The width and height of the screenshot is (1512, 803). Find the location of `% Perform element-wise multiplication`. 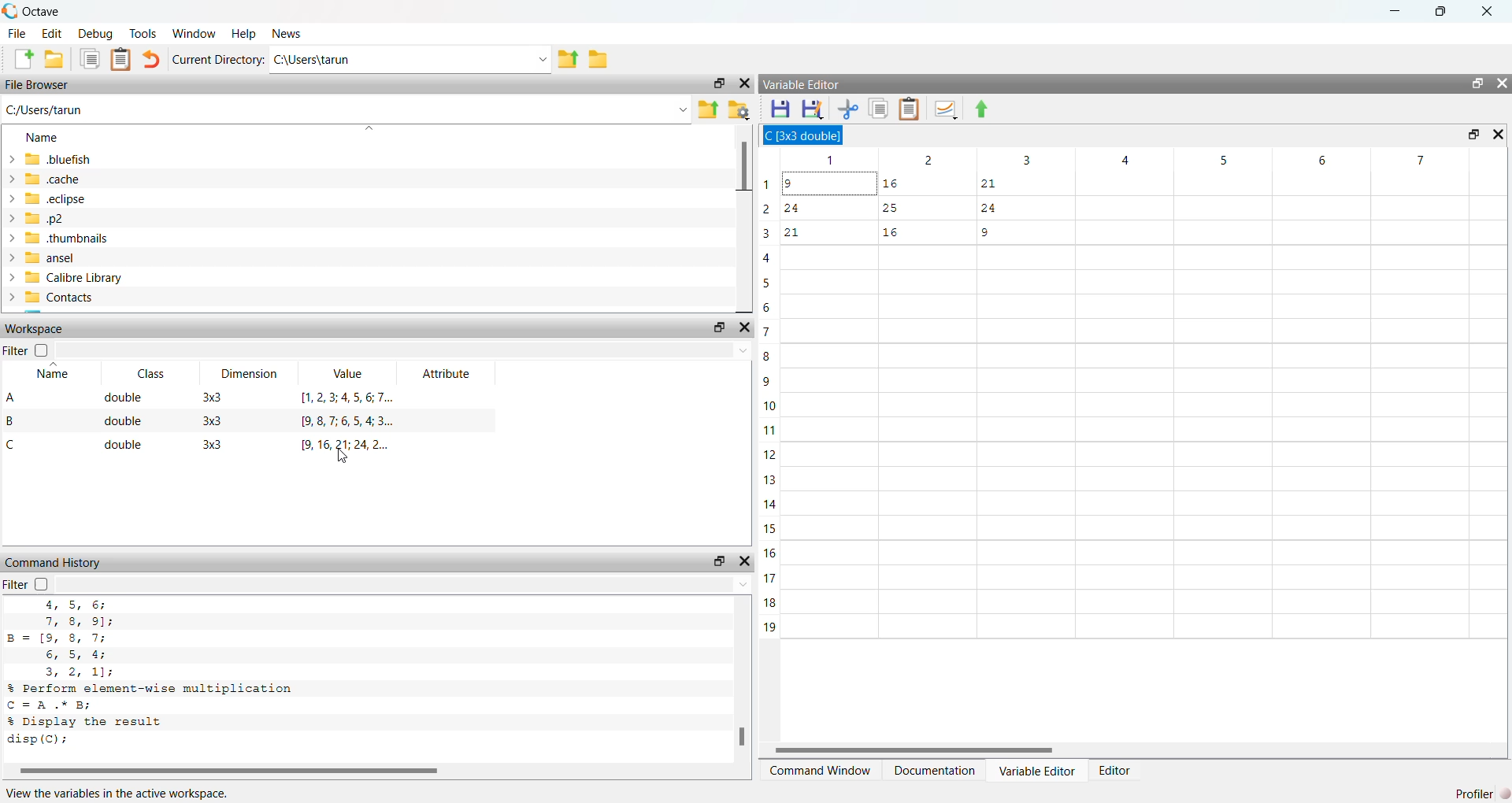

% Perform element-wise multiplication is located at coordinates (153, 689).